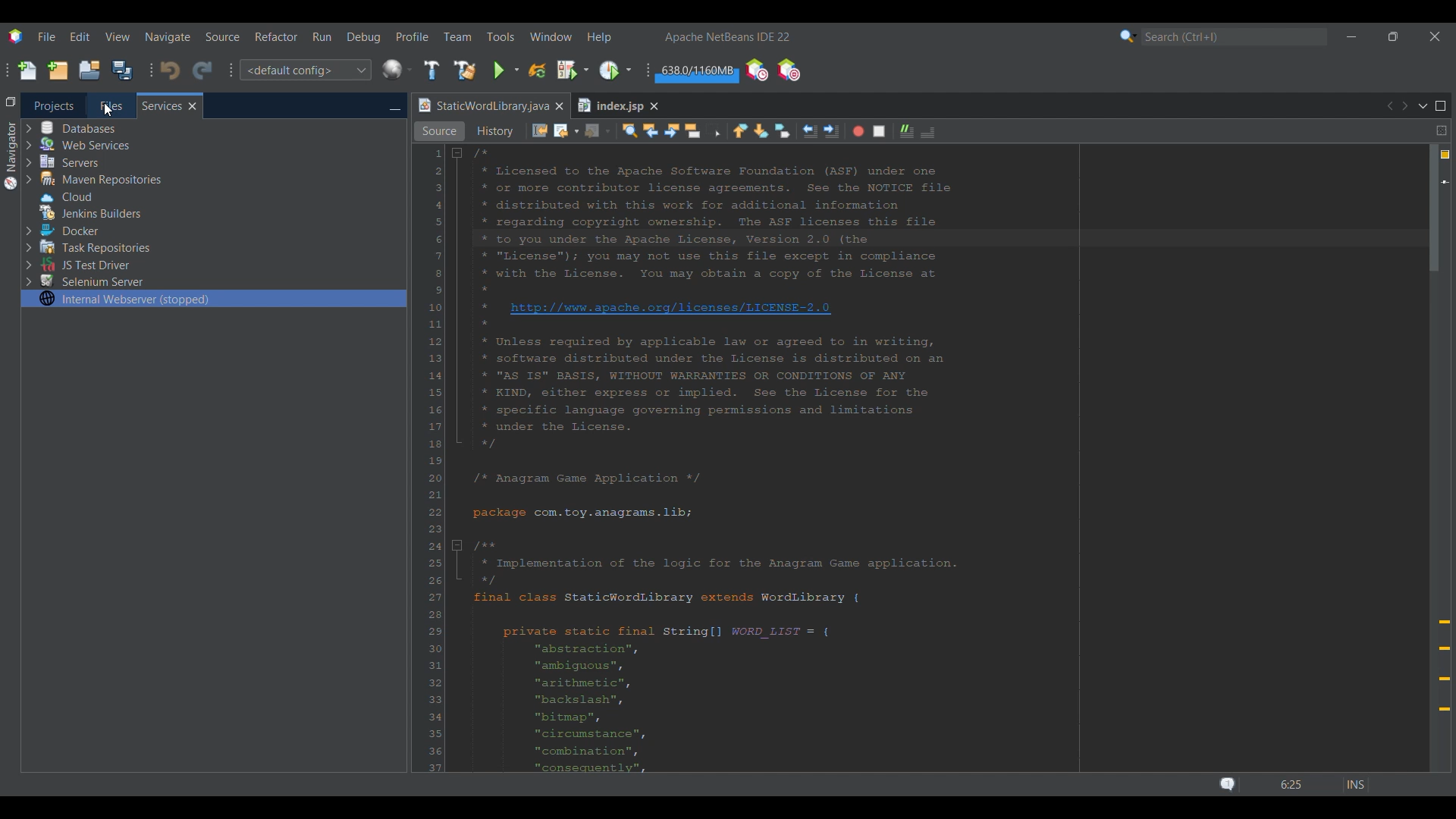 The height and width of the screenshot is (819, 1456). Describe the element at coordinates (1441, 106) in the screenshot. I see `Maximize` at that location.